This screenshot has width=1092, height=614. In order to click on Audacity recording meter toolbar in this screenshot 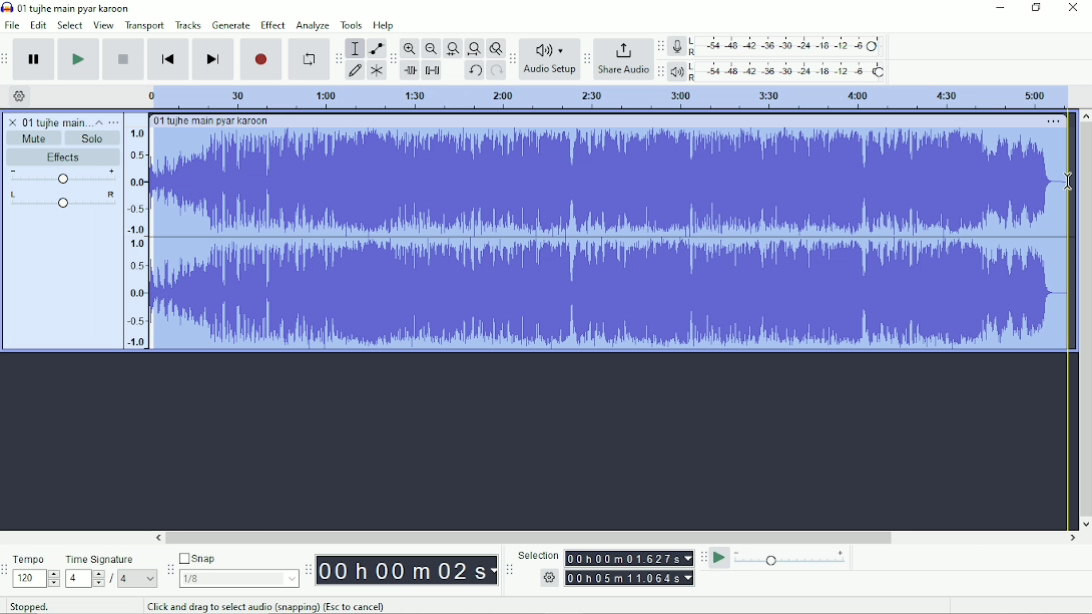, I will do `click(661, 46)`.